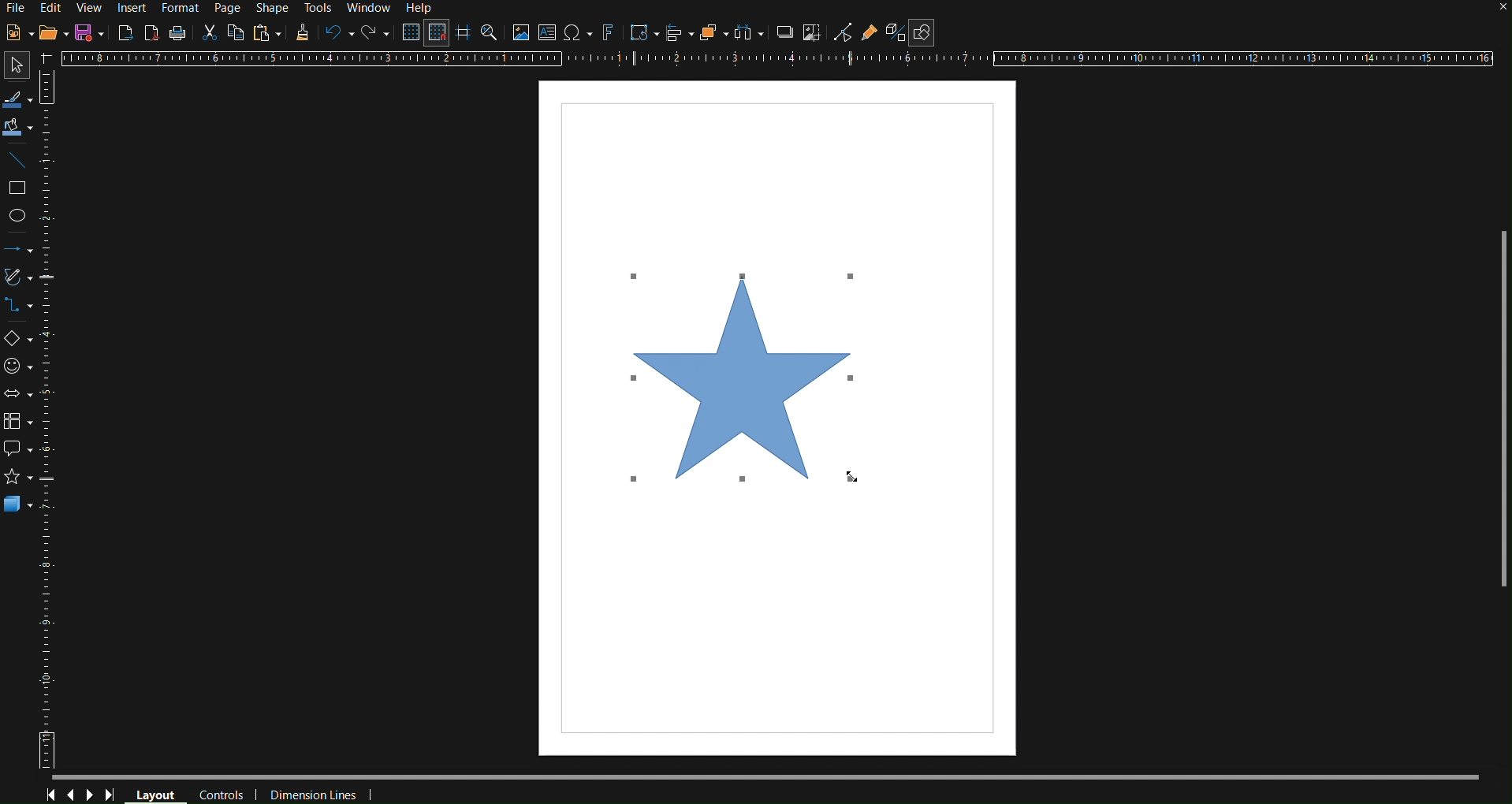  Describe the element at coordinates (20, 311) in the screenshot. I see `Connector` at that location.